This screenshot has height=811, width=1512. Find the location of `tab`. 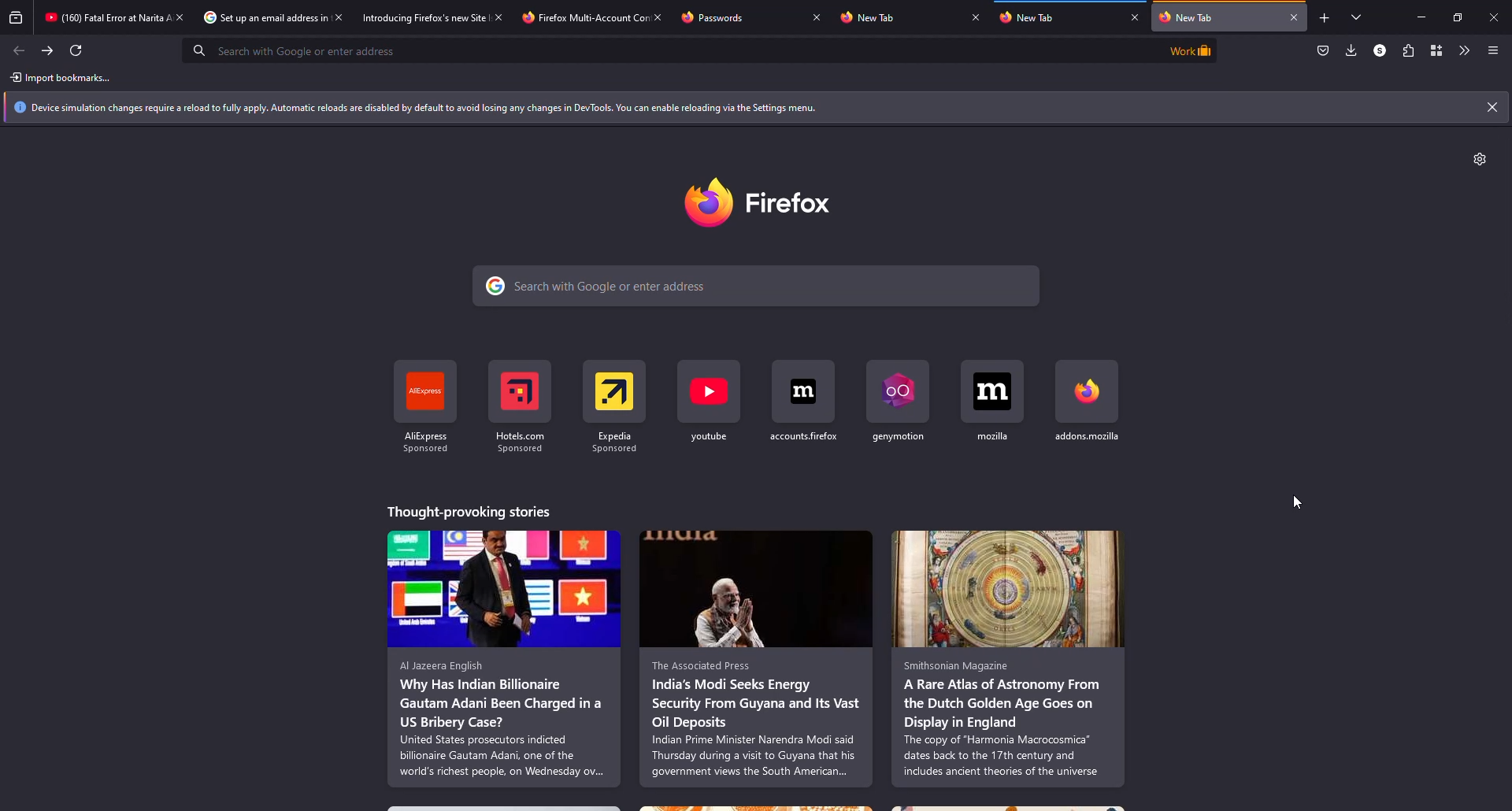

tab is located at coordinates (1217, 17).